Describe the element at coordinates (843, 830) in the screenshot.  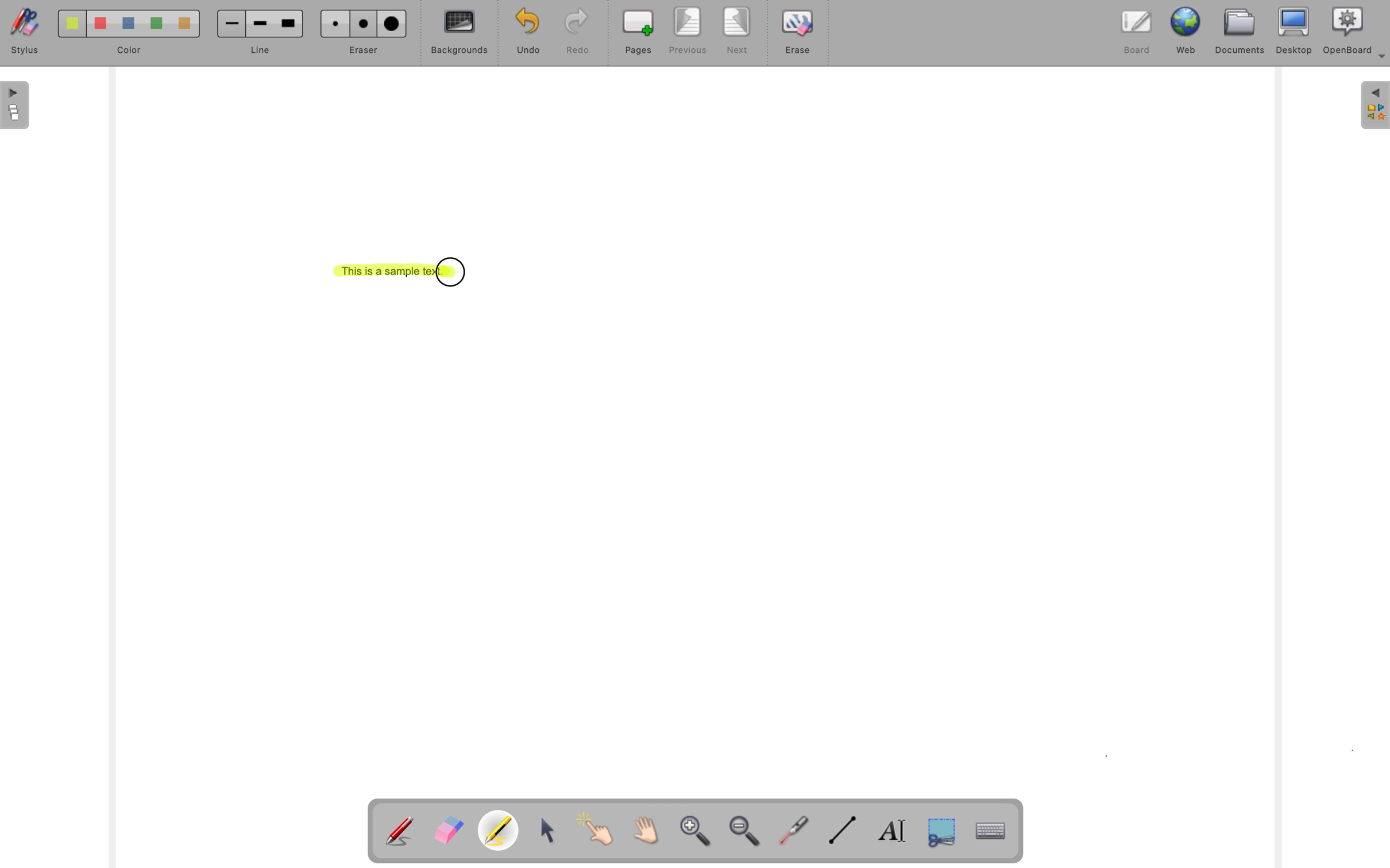
I see `draw lines` at that location.